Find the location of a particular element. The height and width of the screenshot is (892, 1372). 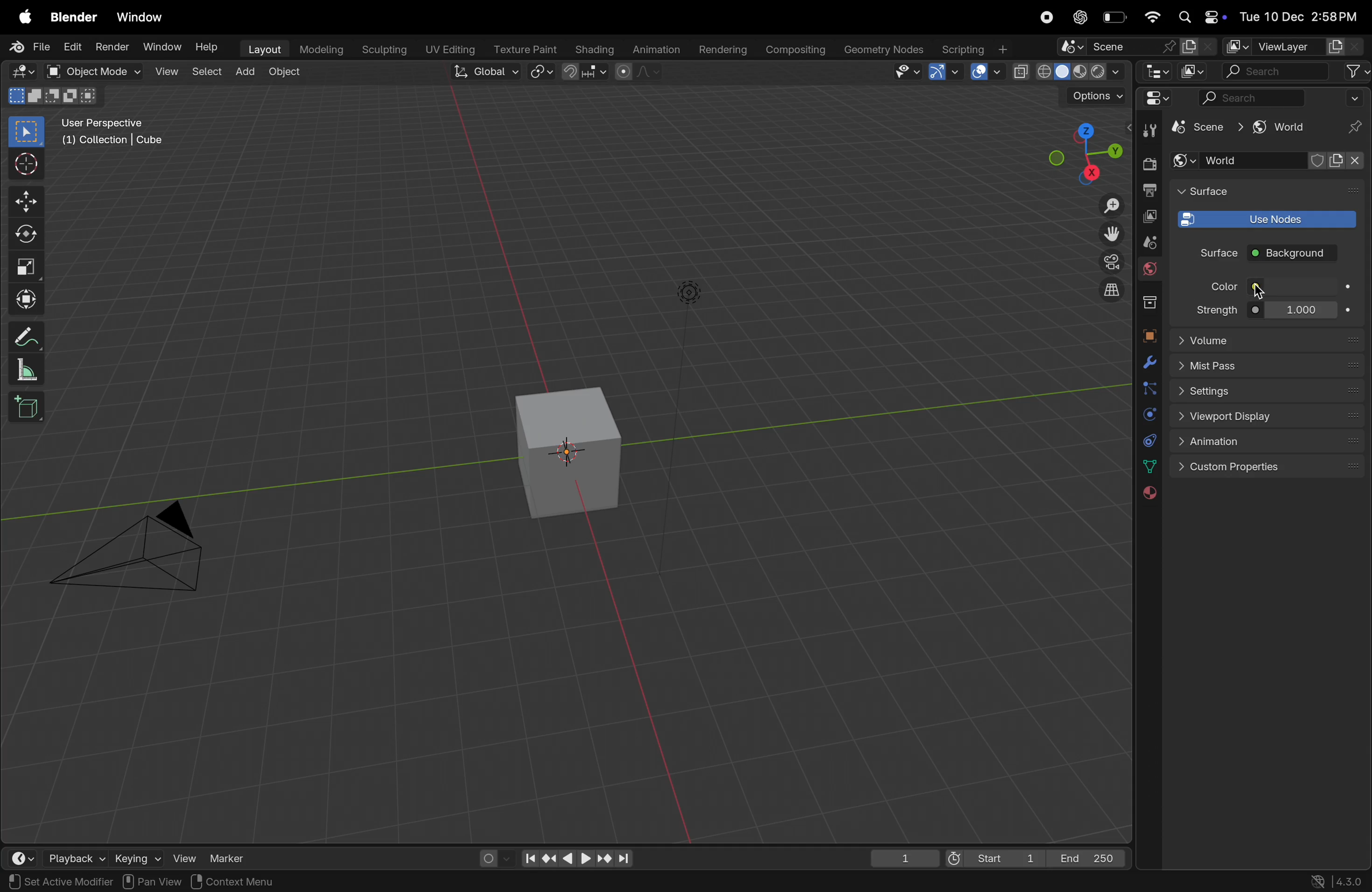

collection is located at coordinates (1149, 303).